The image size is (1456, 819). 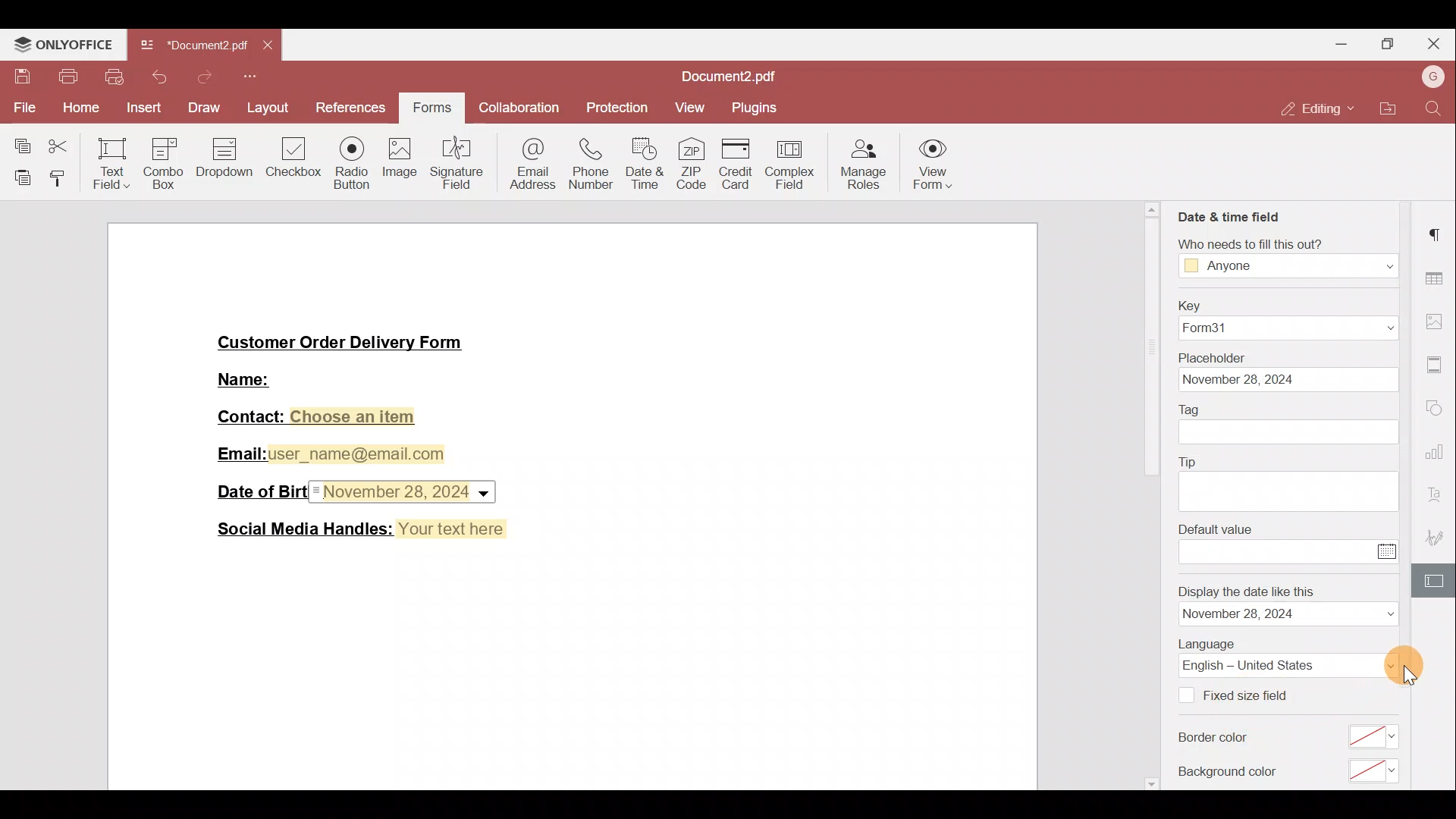 I want to click on Social Media Handles: Your text here, so click(x=362, y=528).